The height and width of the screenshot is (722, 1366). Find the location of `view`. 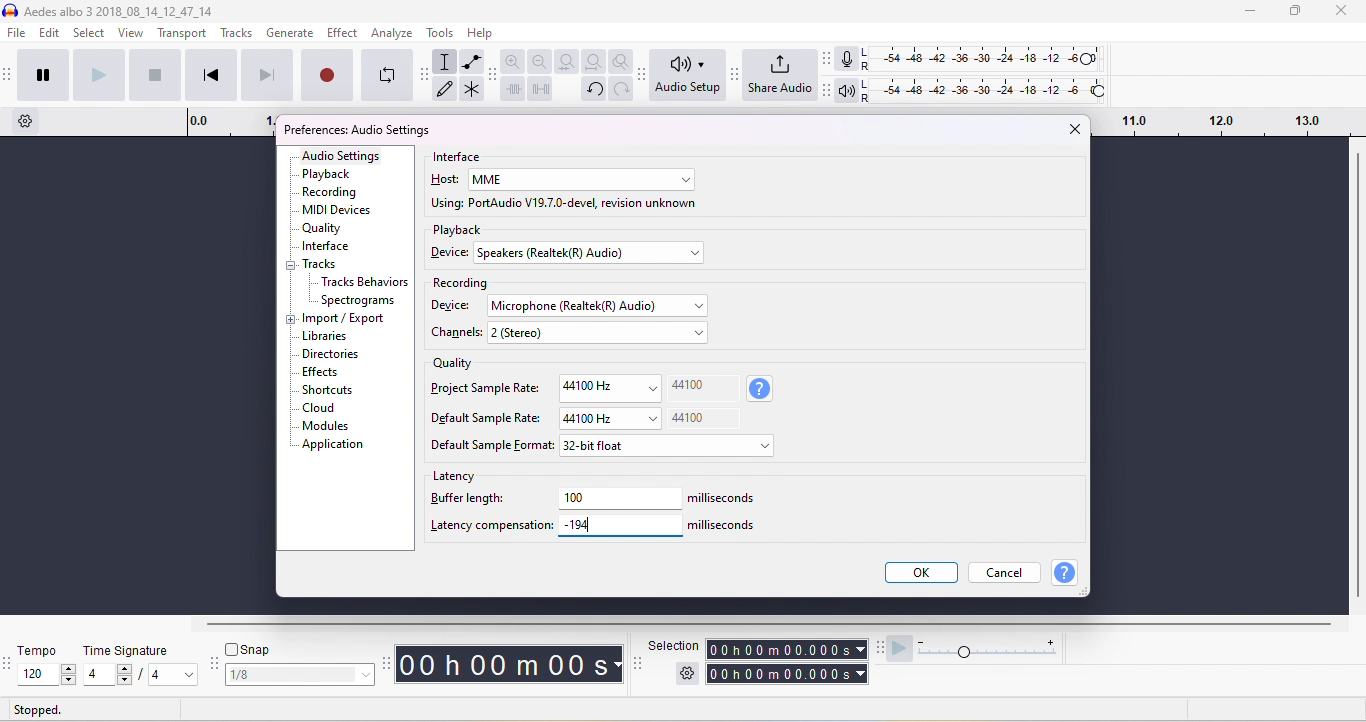

view is located at coordinates (132, 32).